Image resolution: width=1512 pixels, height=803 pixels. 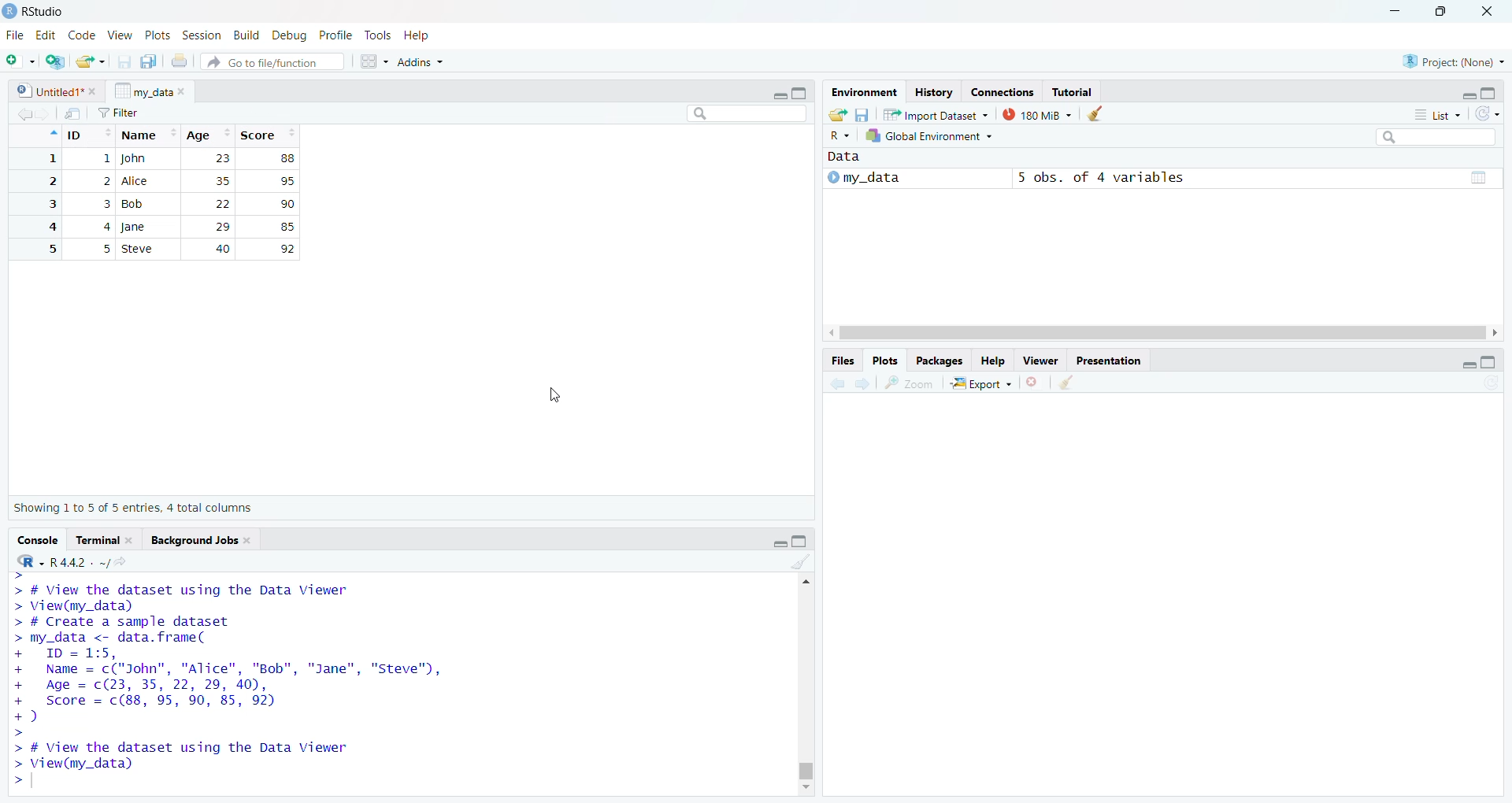 I want to click on Save workspace as, so click(x=864, y=115).